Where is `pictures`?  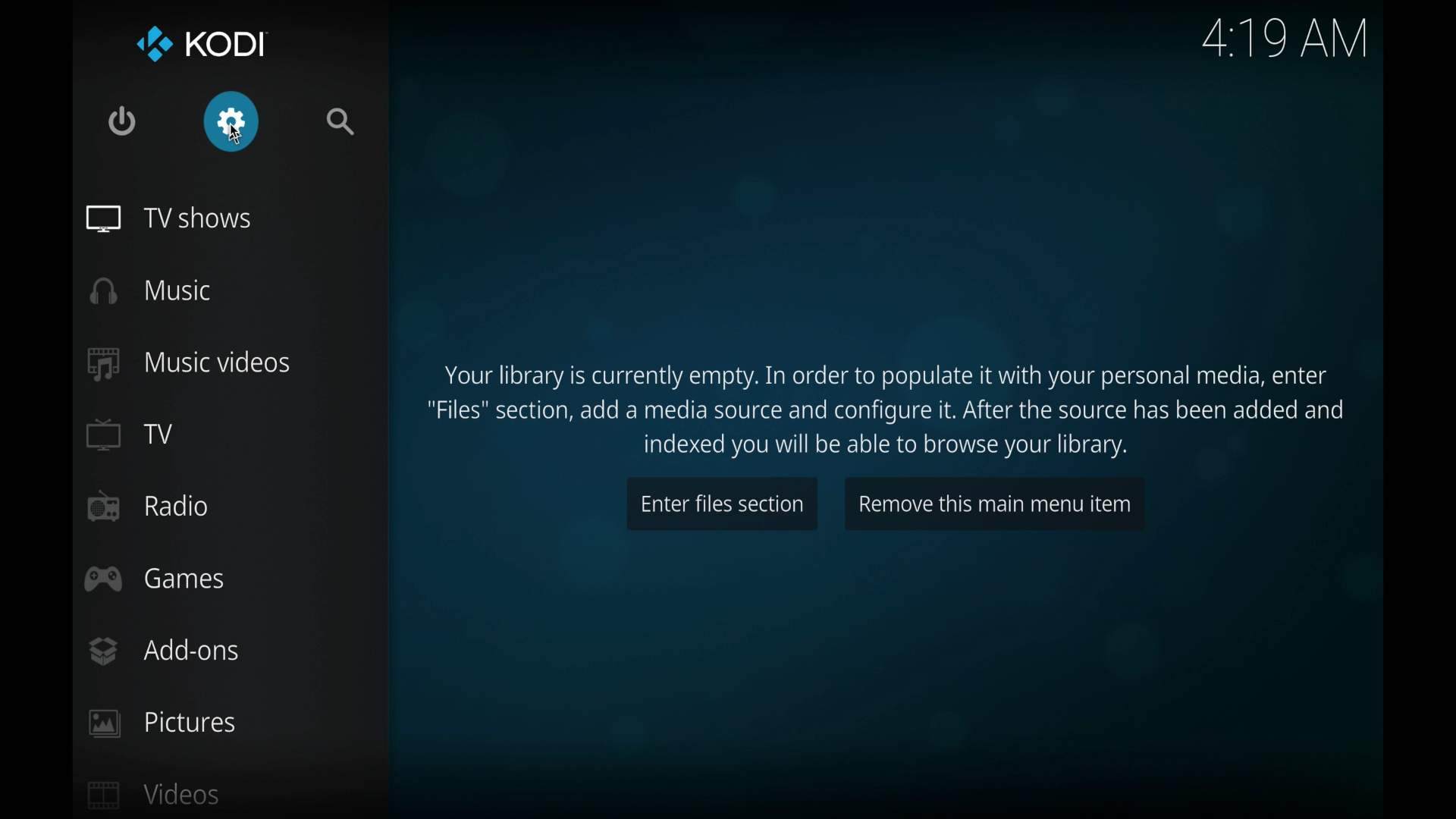 pictures is located at coordinates (161, 723).